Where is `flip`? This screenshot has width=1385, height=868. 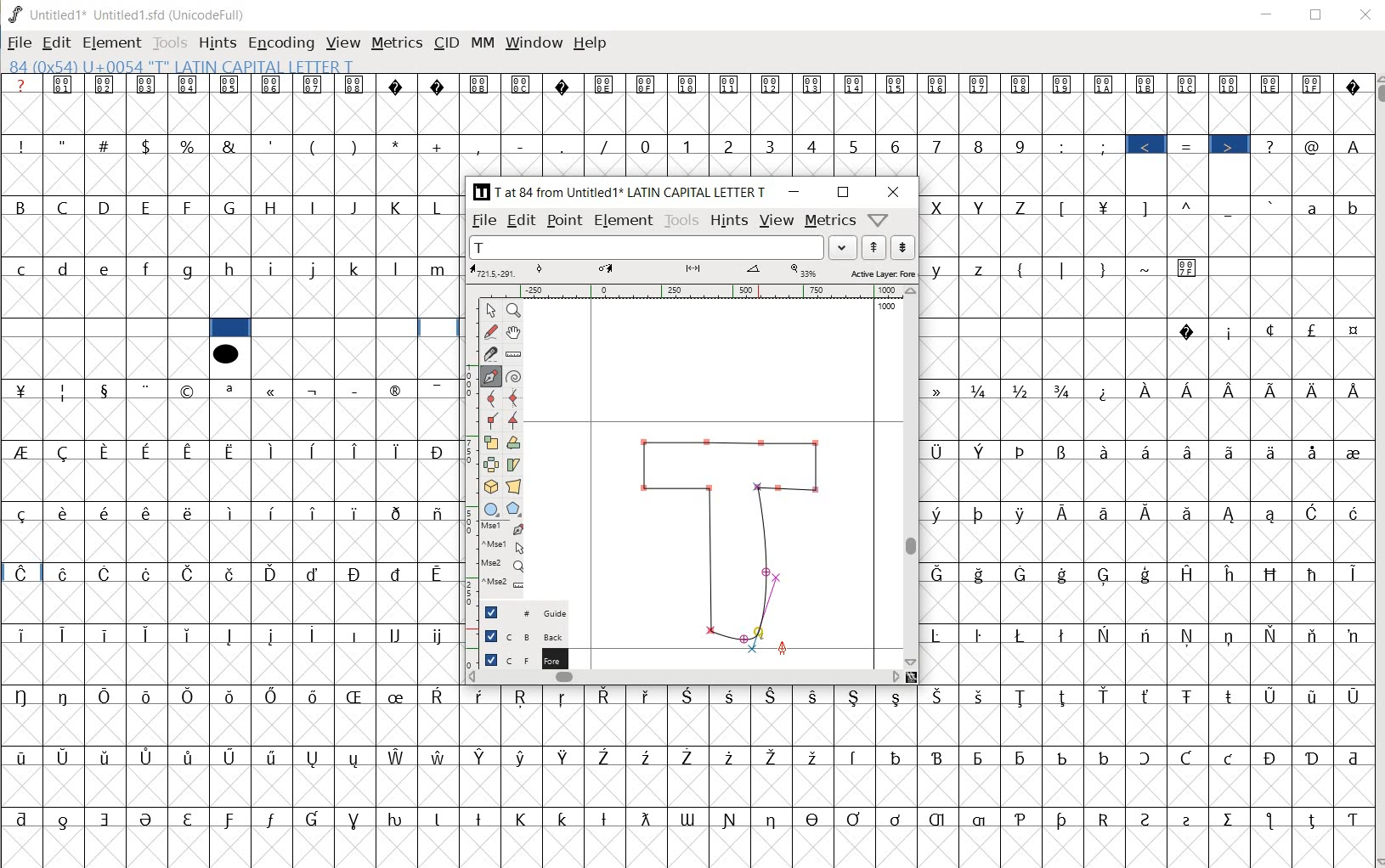 flip is located at coordinates (491, 465).